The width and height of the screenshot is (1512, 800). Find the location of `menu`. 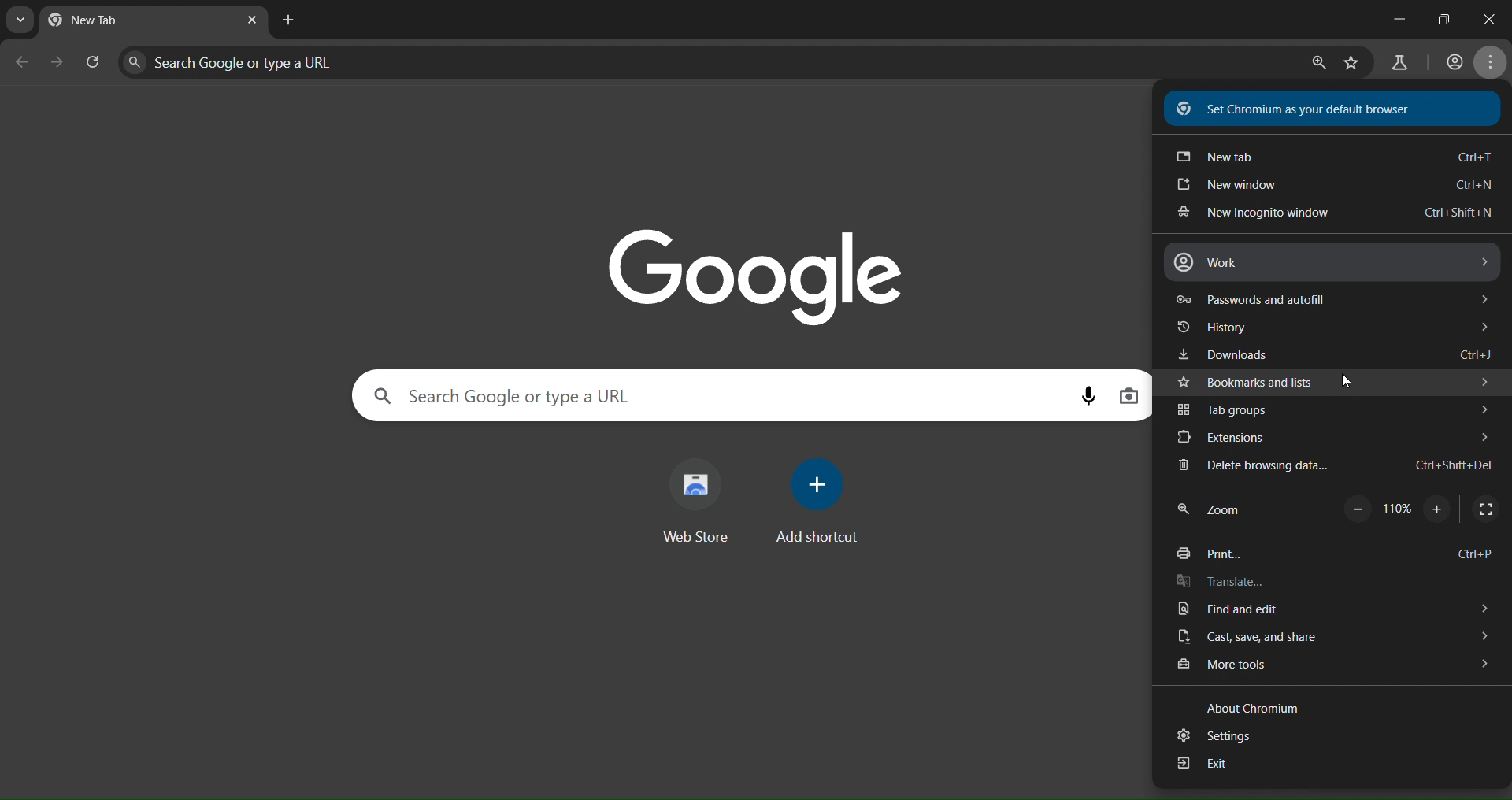

menu is located at coordinates (1492, 63).